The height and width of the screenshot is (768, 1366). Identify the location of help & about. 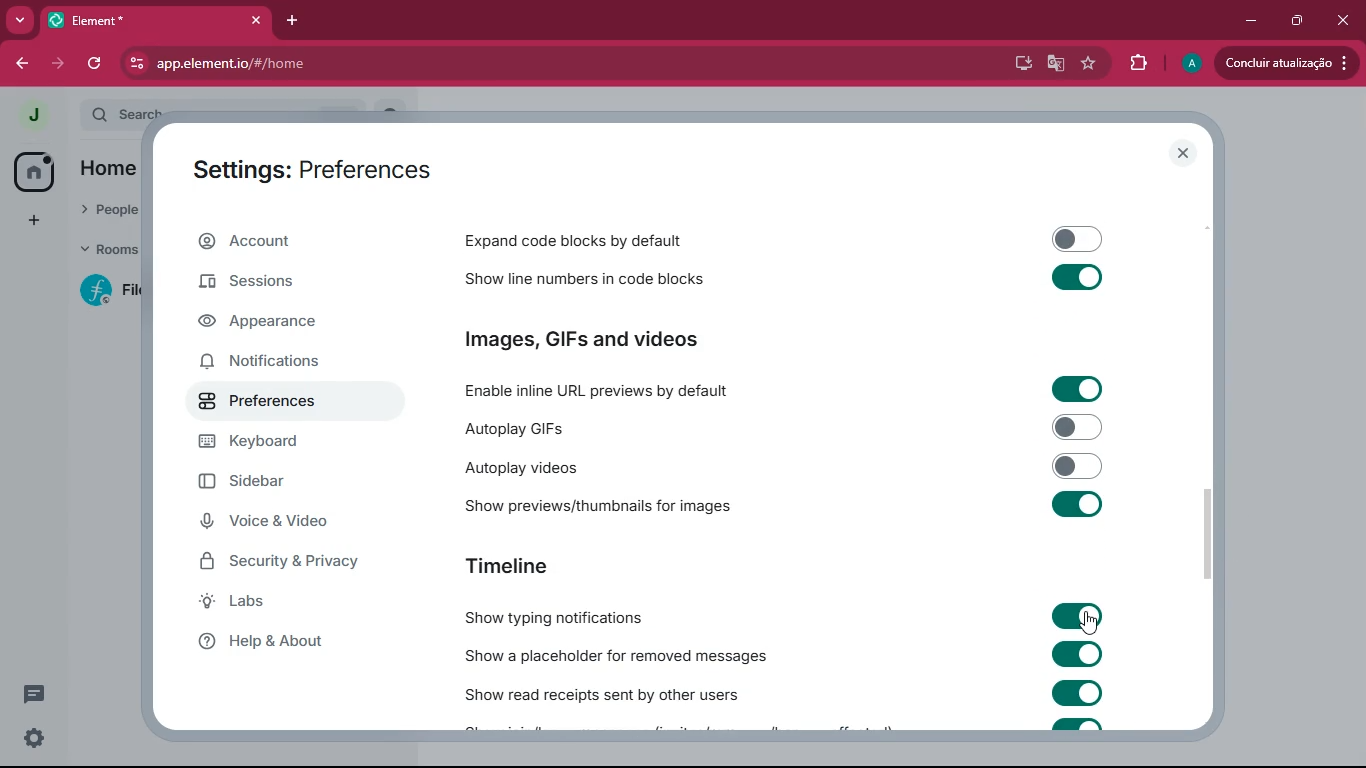
(284, 642).